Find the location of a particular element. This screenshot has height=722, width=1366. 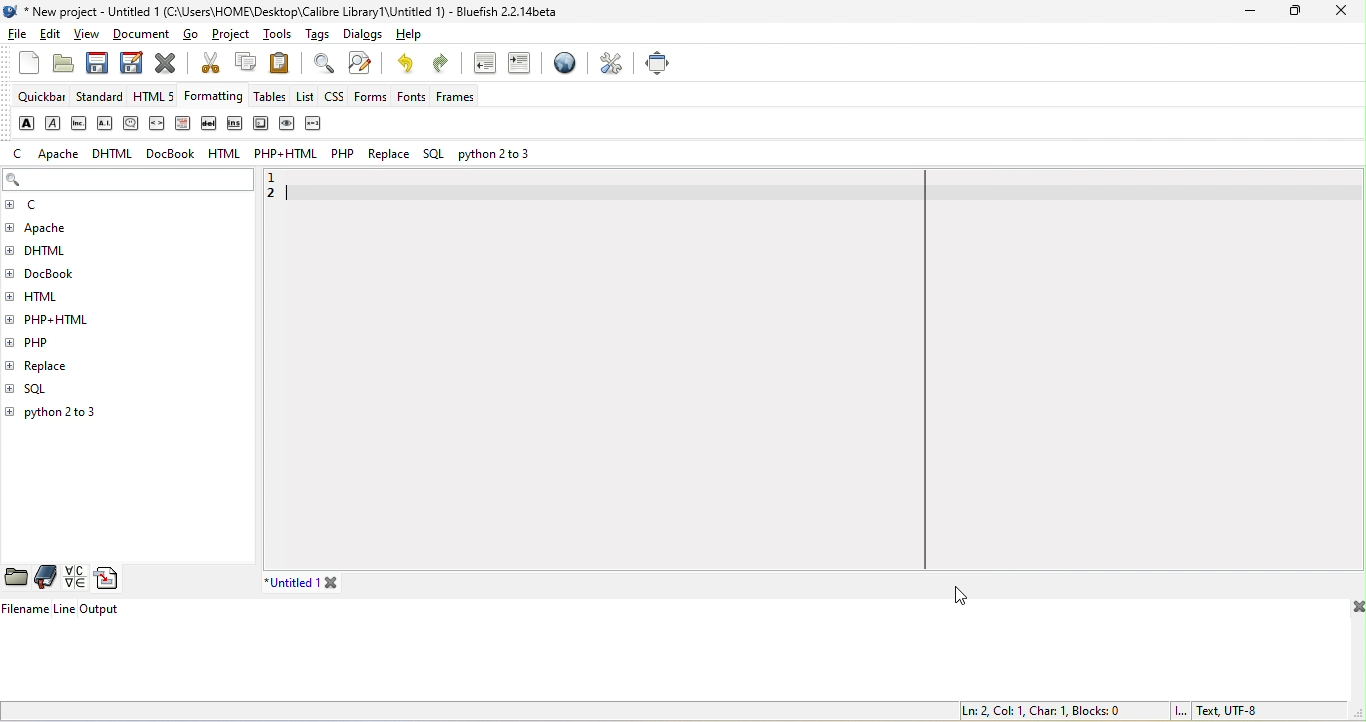

replace is located at coordinates (383, 156).